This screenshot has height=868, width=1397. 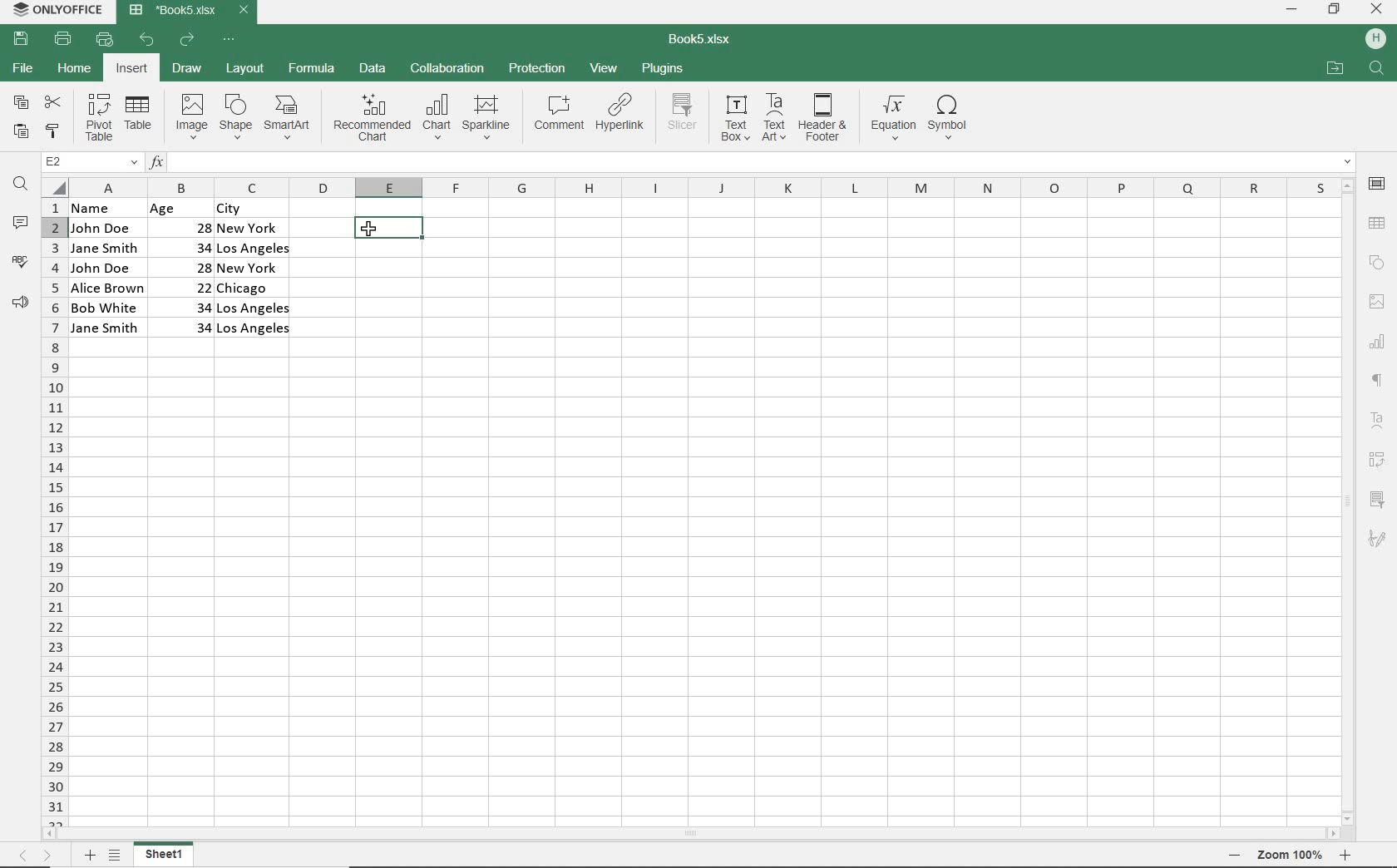 I want to click on MINIMIZE, so click(x=1291, y=10).